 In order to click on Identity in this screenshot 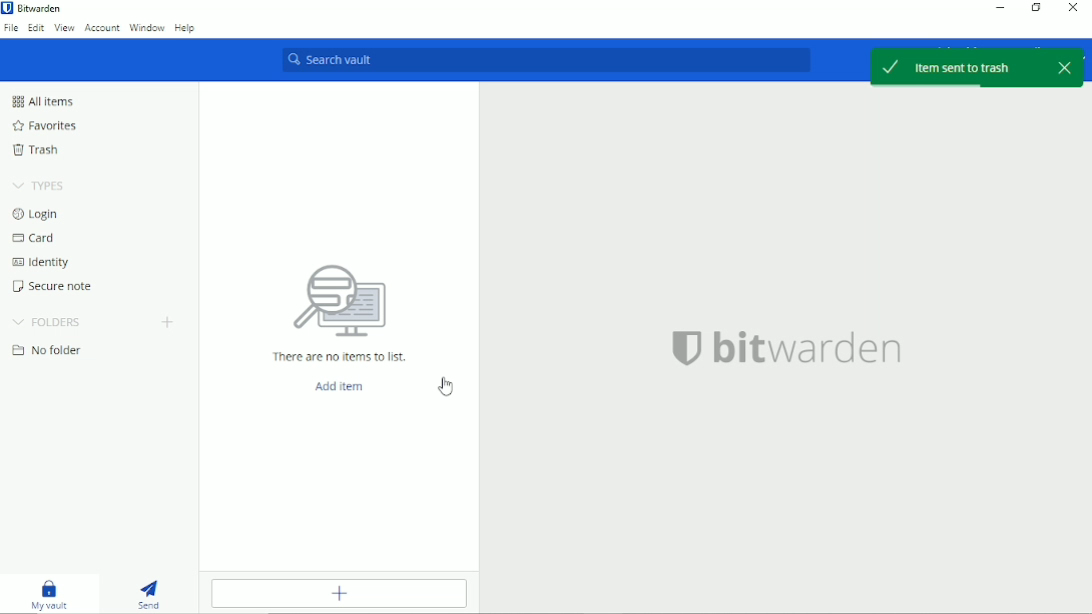, I will do `click(42, 262)`.